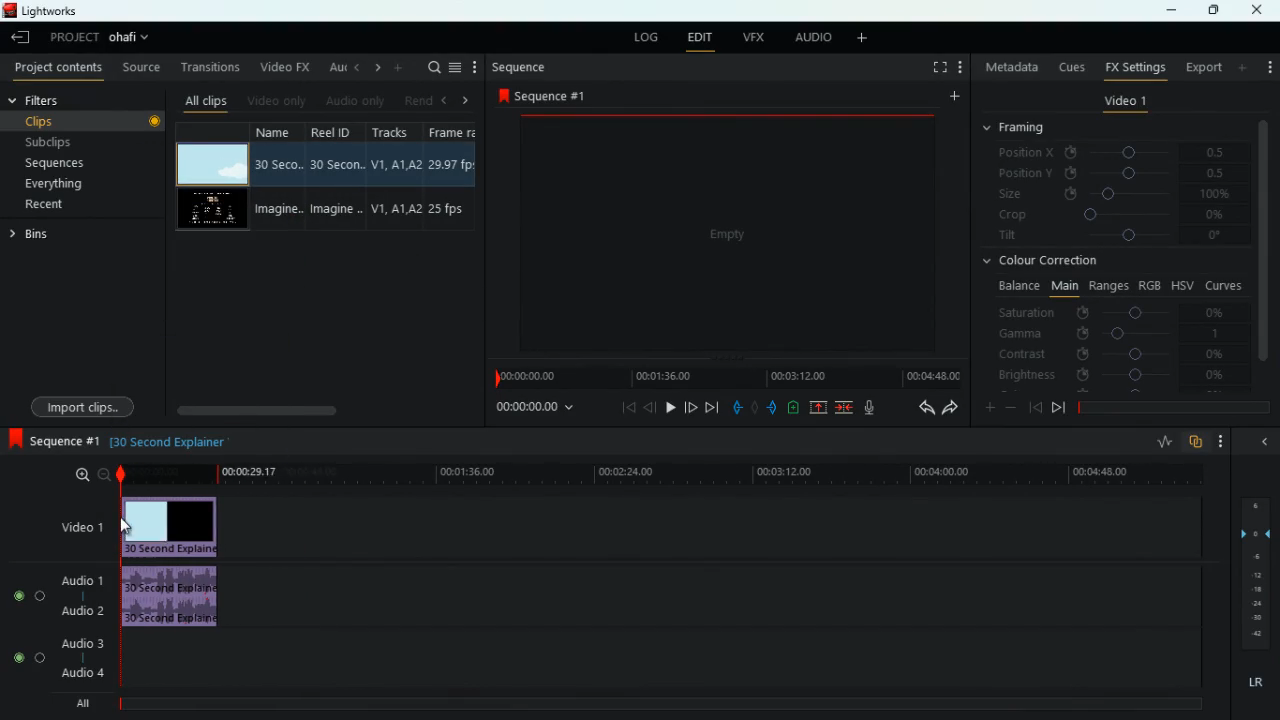  I want to click on end, so click(712, 406).